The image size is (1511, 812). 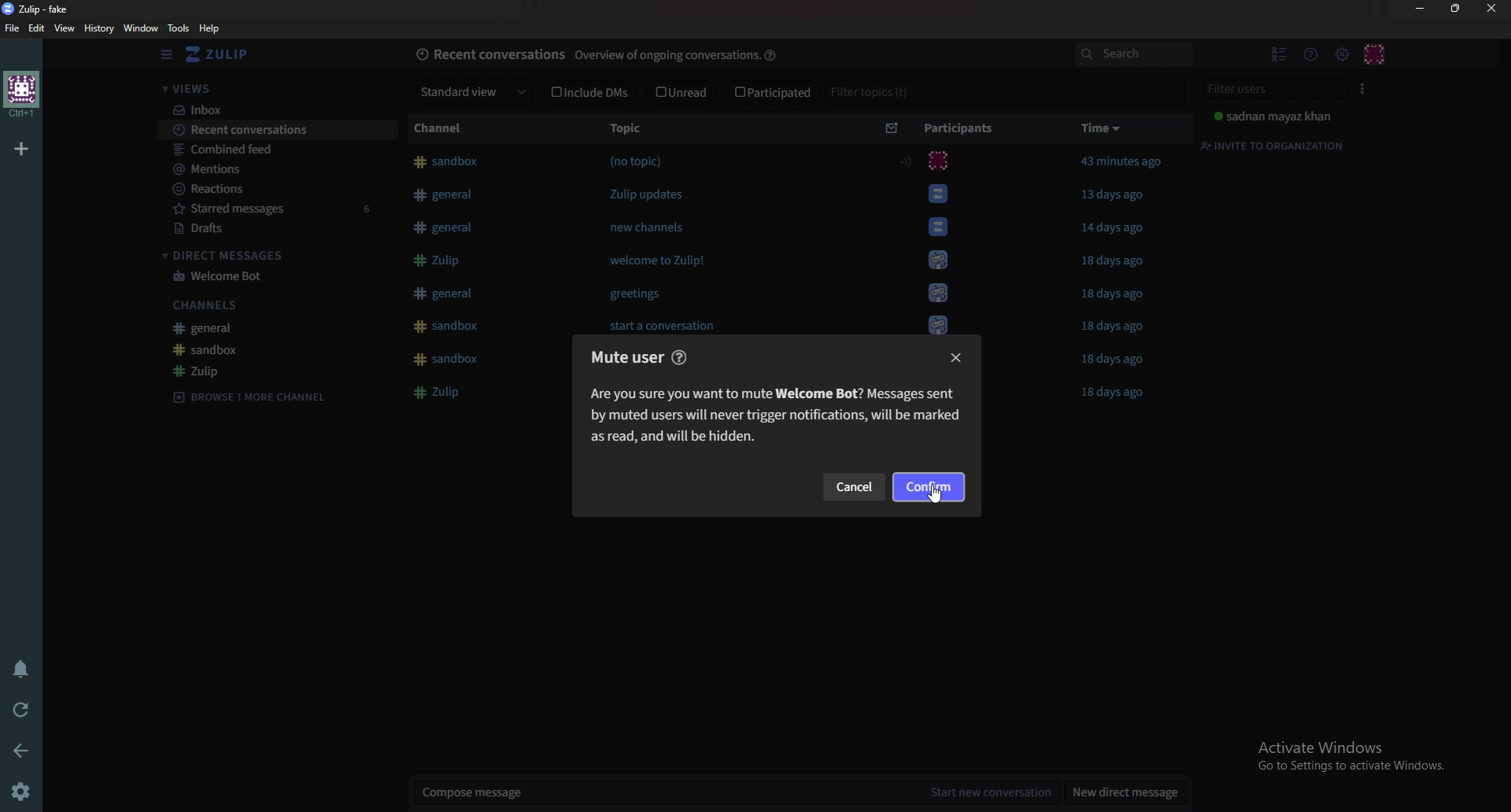 I want to click on  Personal menu, so click(x=1375, y=54).